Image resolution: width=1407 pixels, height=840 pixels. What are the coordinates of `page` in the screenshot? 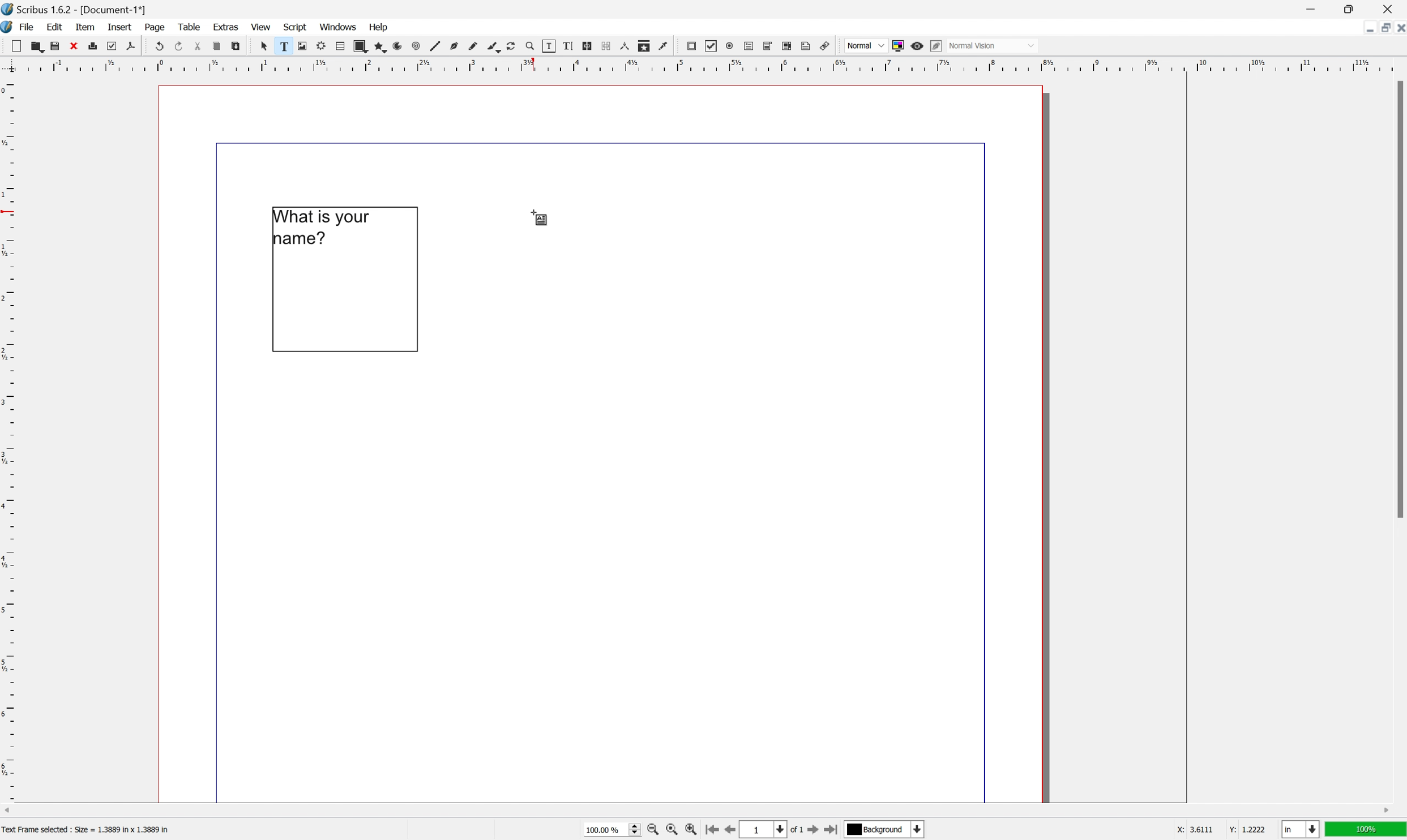 It's located at (156, 27).